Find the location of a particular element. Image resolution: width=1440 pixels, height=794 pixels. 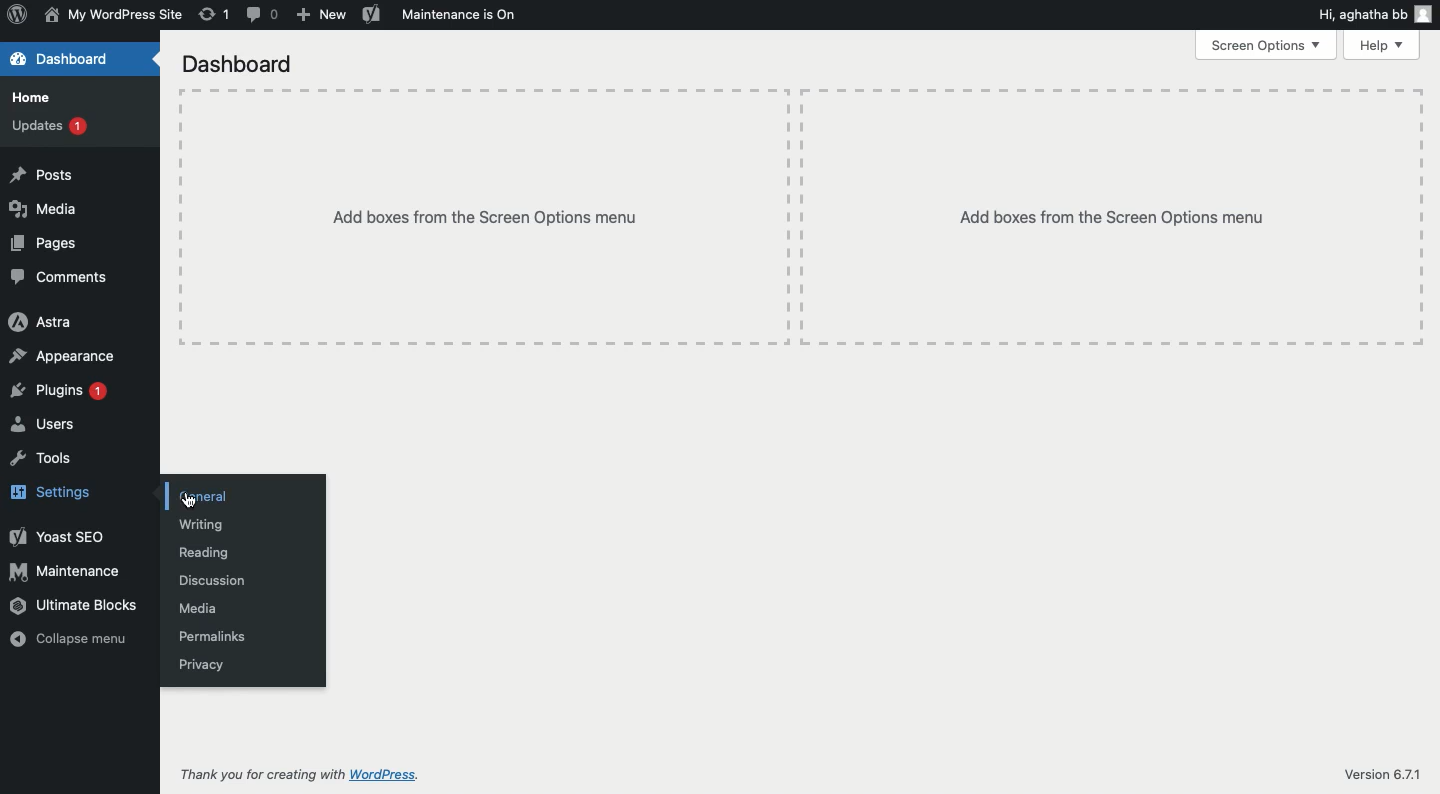

Comments is located at coordinates (60, 277).